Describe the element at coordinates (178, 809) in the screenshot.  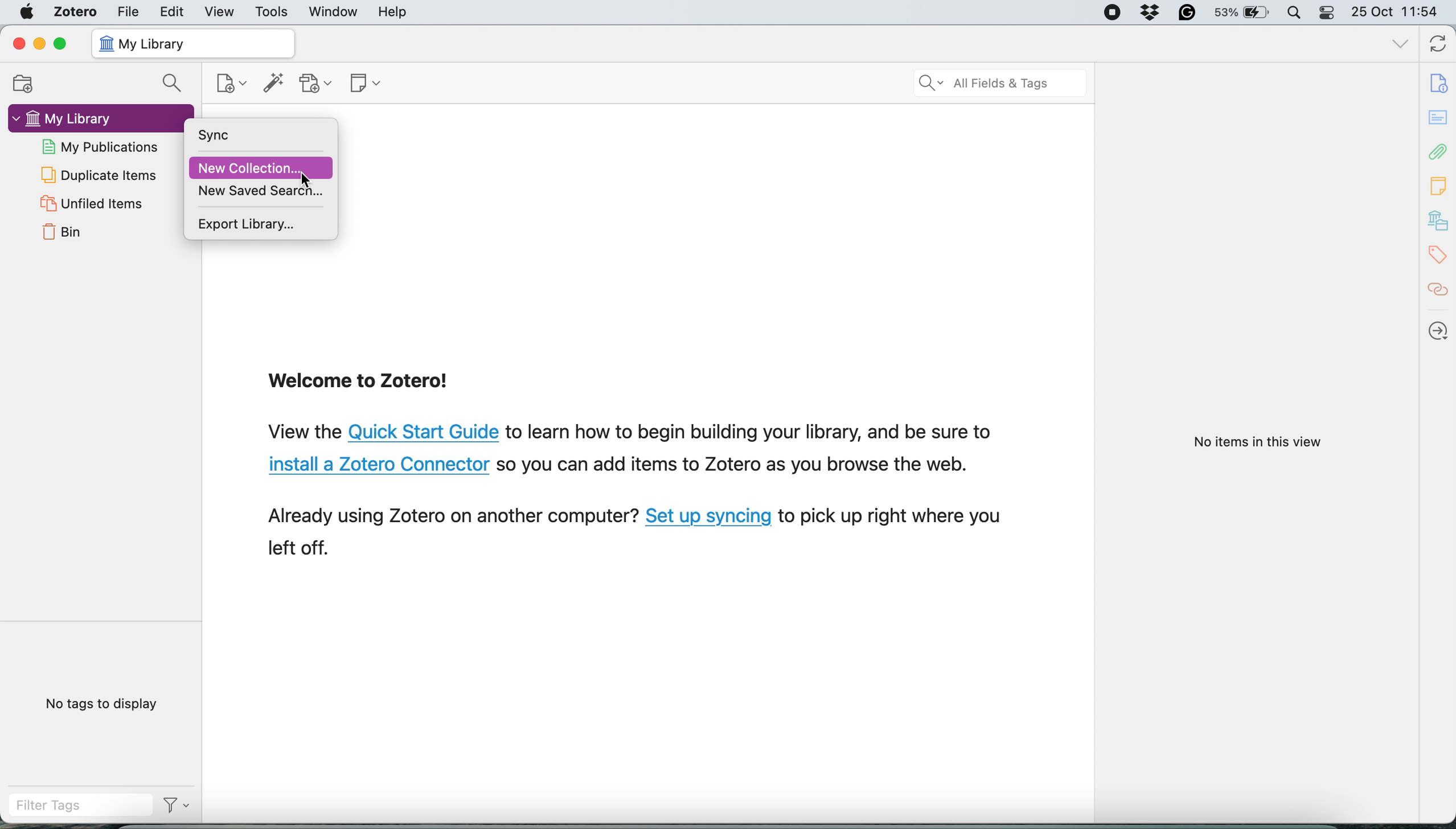
I see `Filter Options` at that location.